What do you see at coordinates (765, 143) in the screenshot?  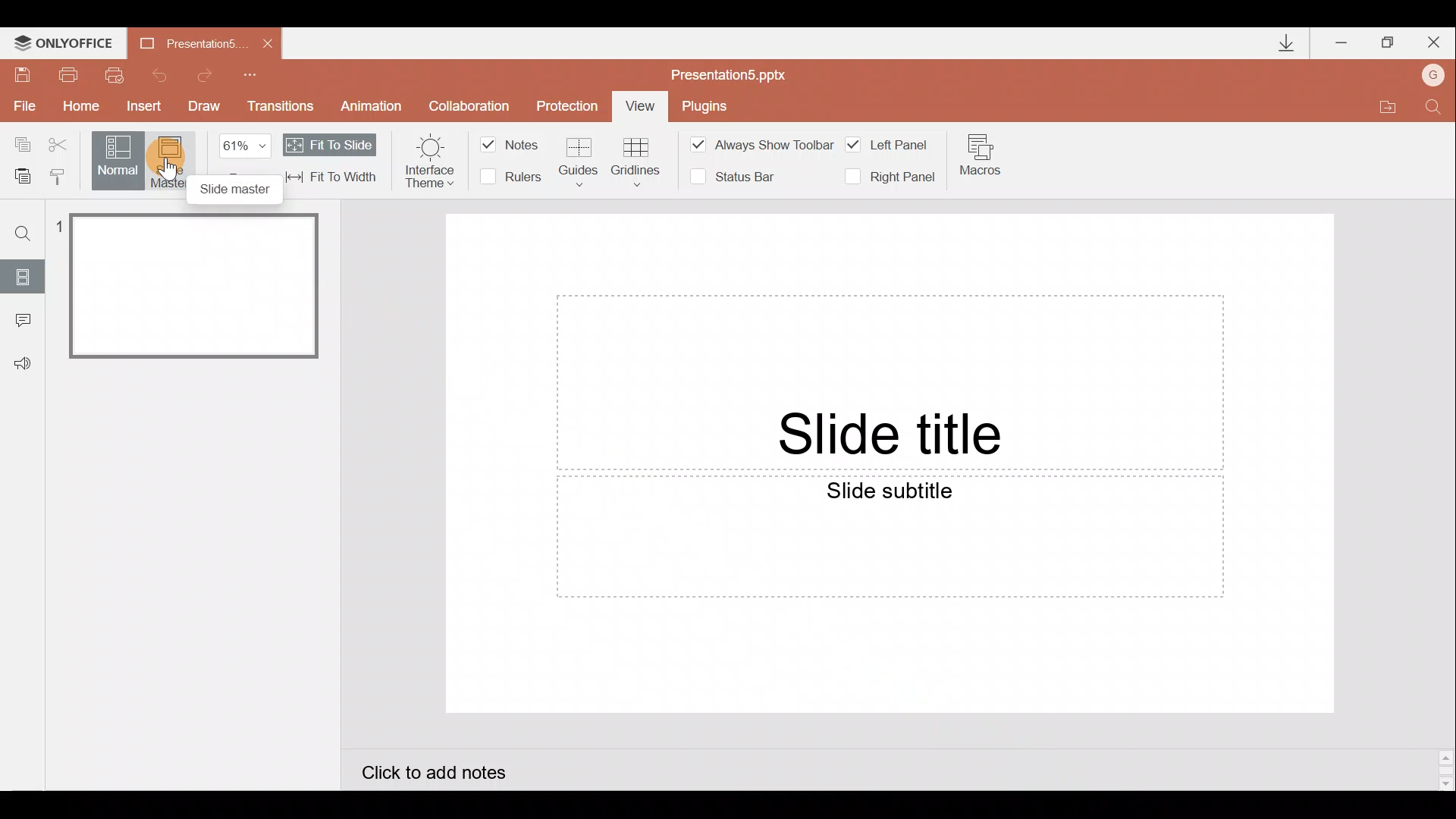 I see `Always show toolbar` at bounding box center [765, 143].